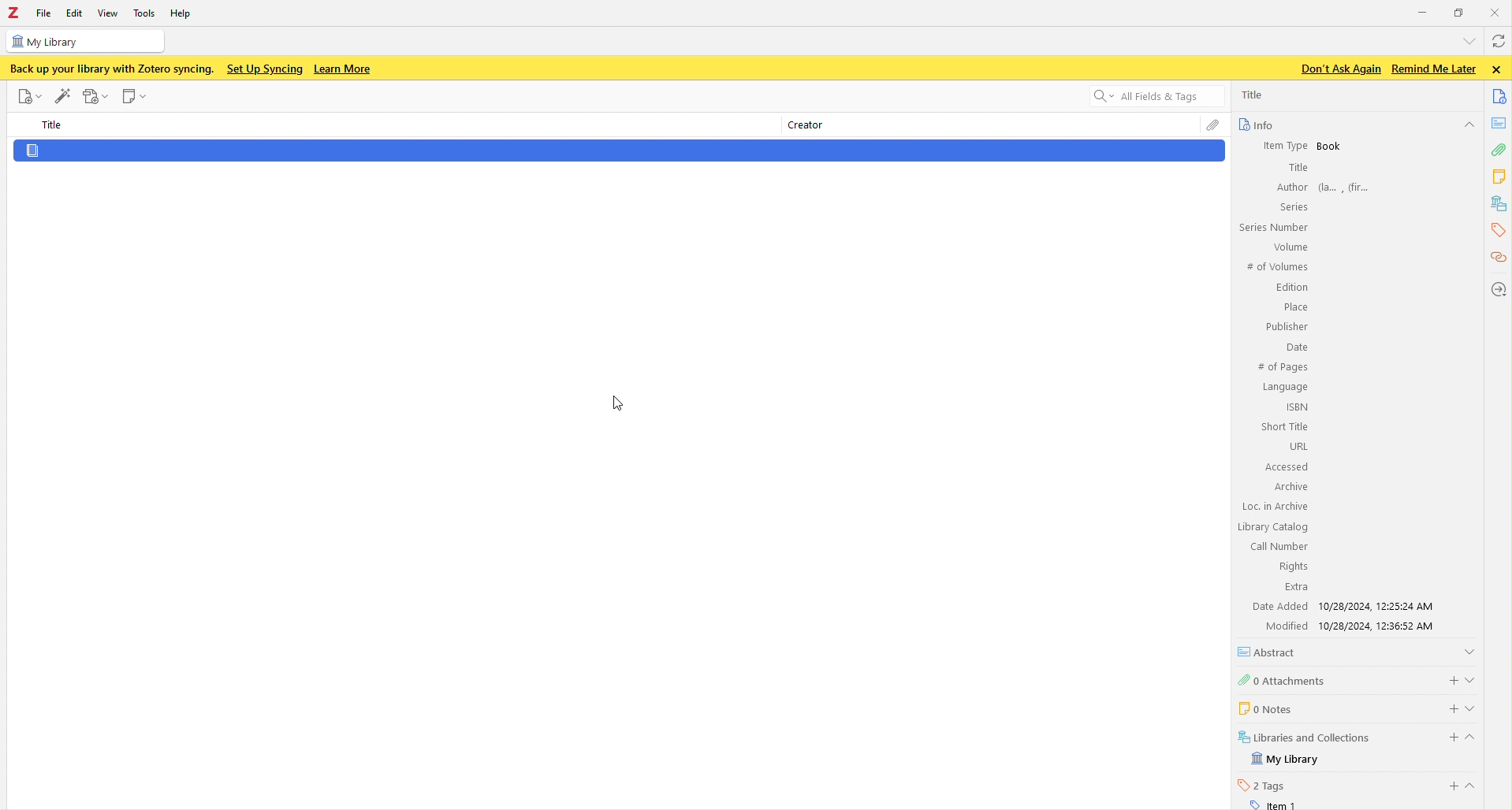 The height and width of the screenshot is (810, 1512). I want to click on Rights, so click(1290, 566).